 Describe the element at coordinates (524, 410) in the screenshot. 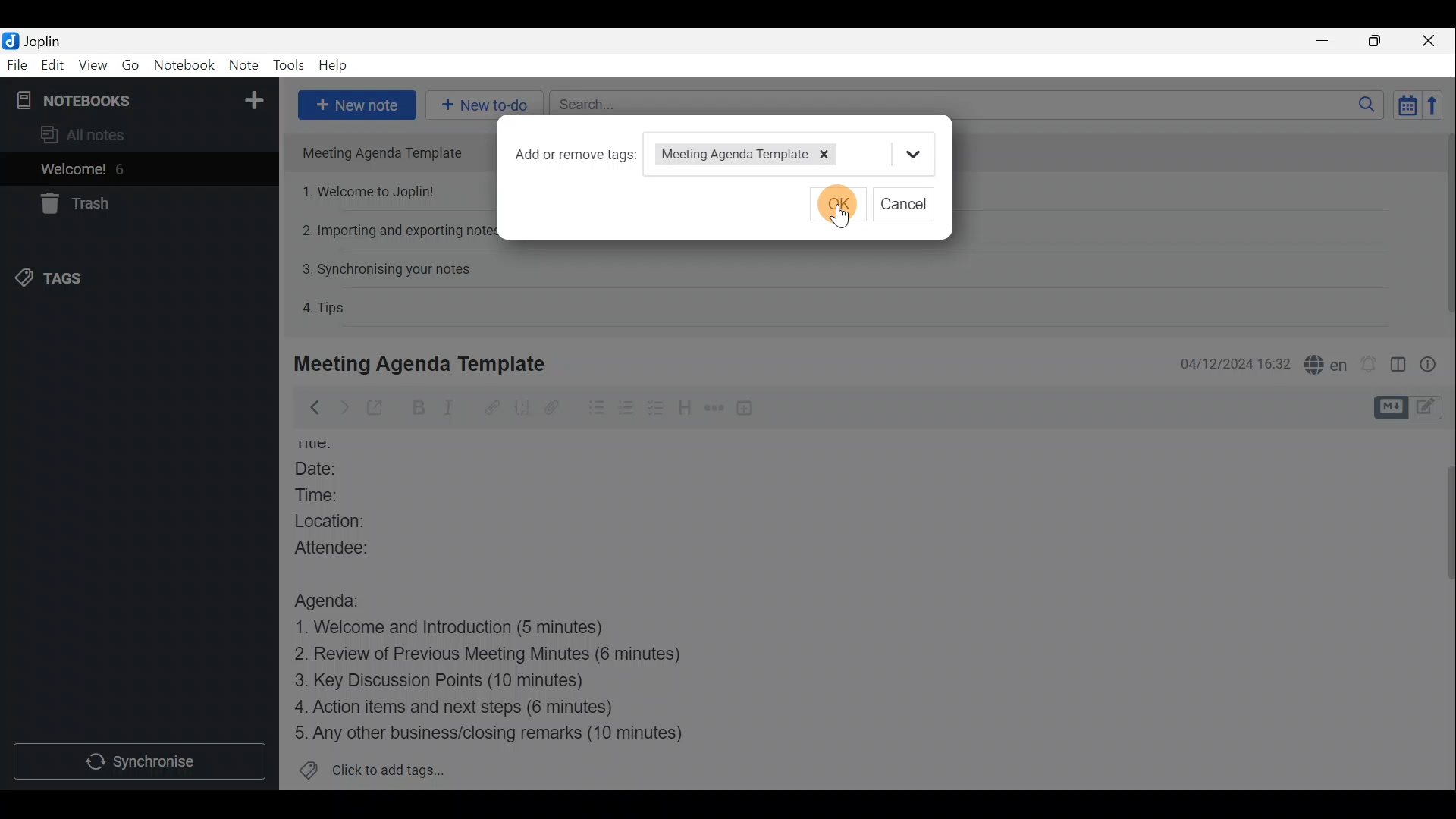

I see `Code` at that location.